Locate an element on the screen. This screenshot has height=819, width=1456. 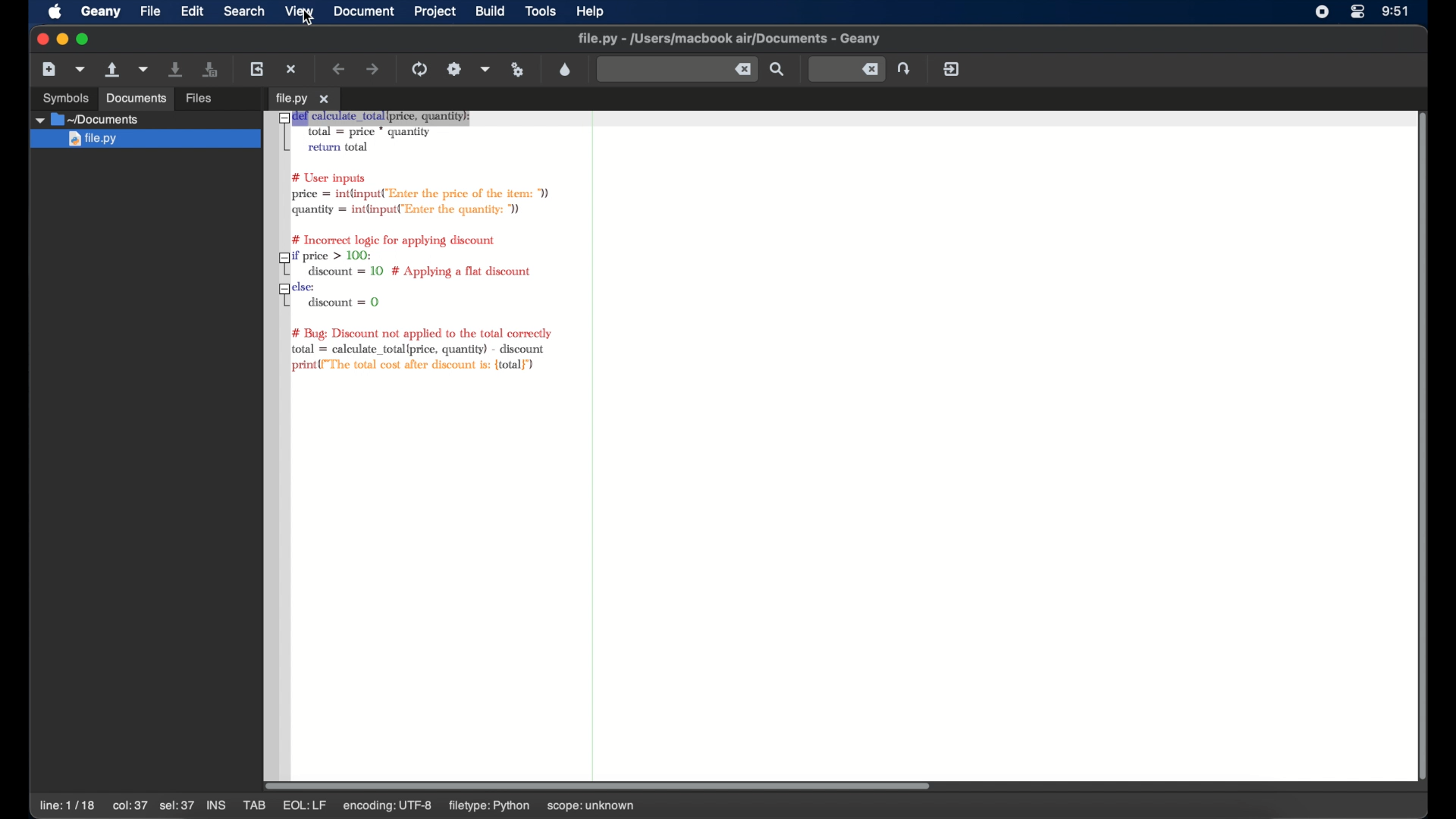
edit is located at coordinates (191, 11).